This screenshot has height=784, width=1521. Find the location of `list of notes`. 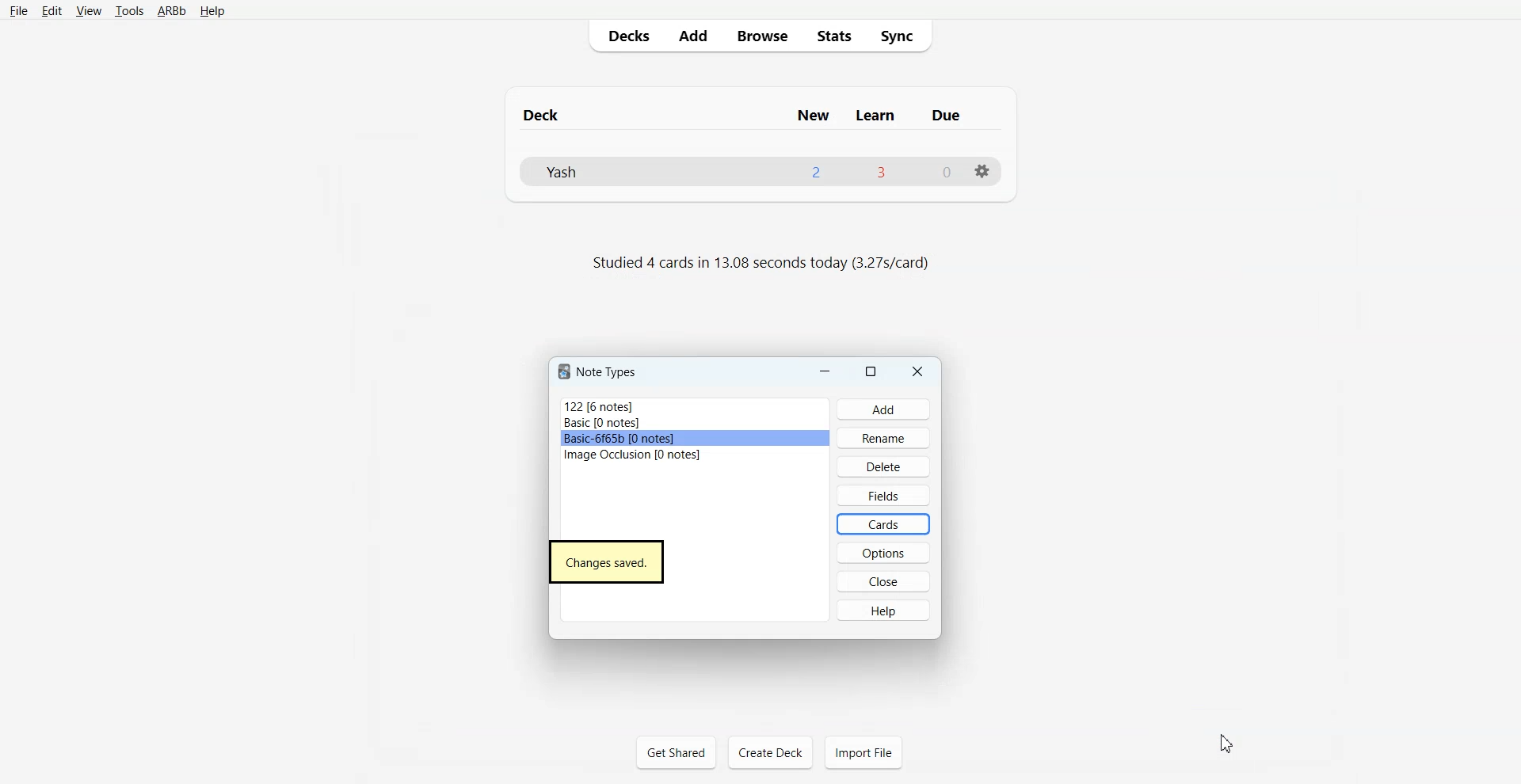

list of notes is located at coordinates (644, 431).